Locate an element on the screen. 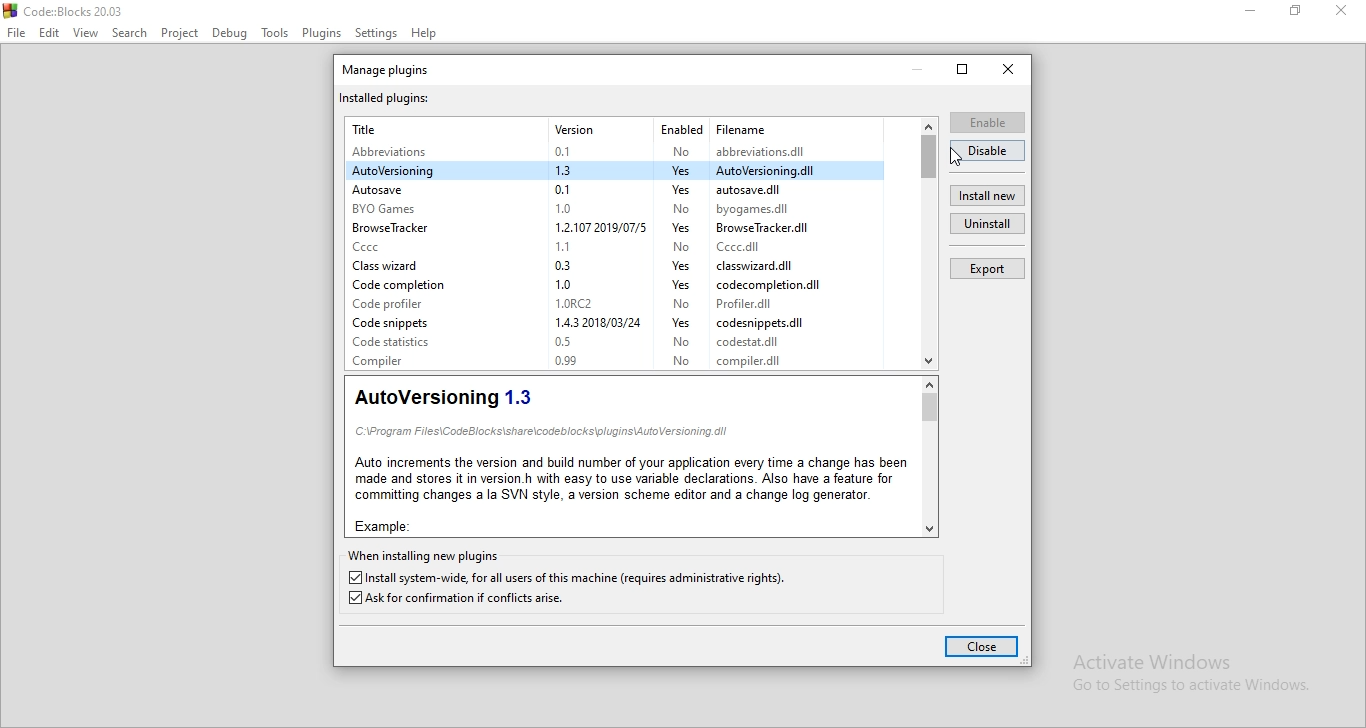  Title is located at coordinates (370, 128).